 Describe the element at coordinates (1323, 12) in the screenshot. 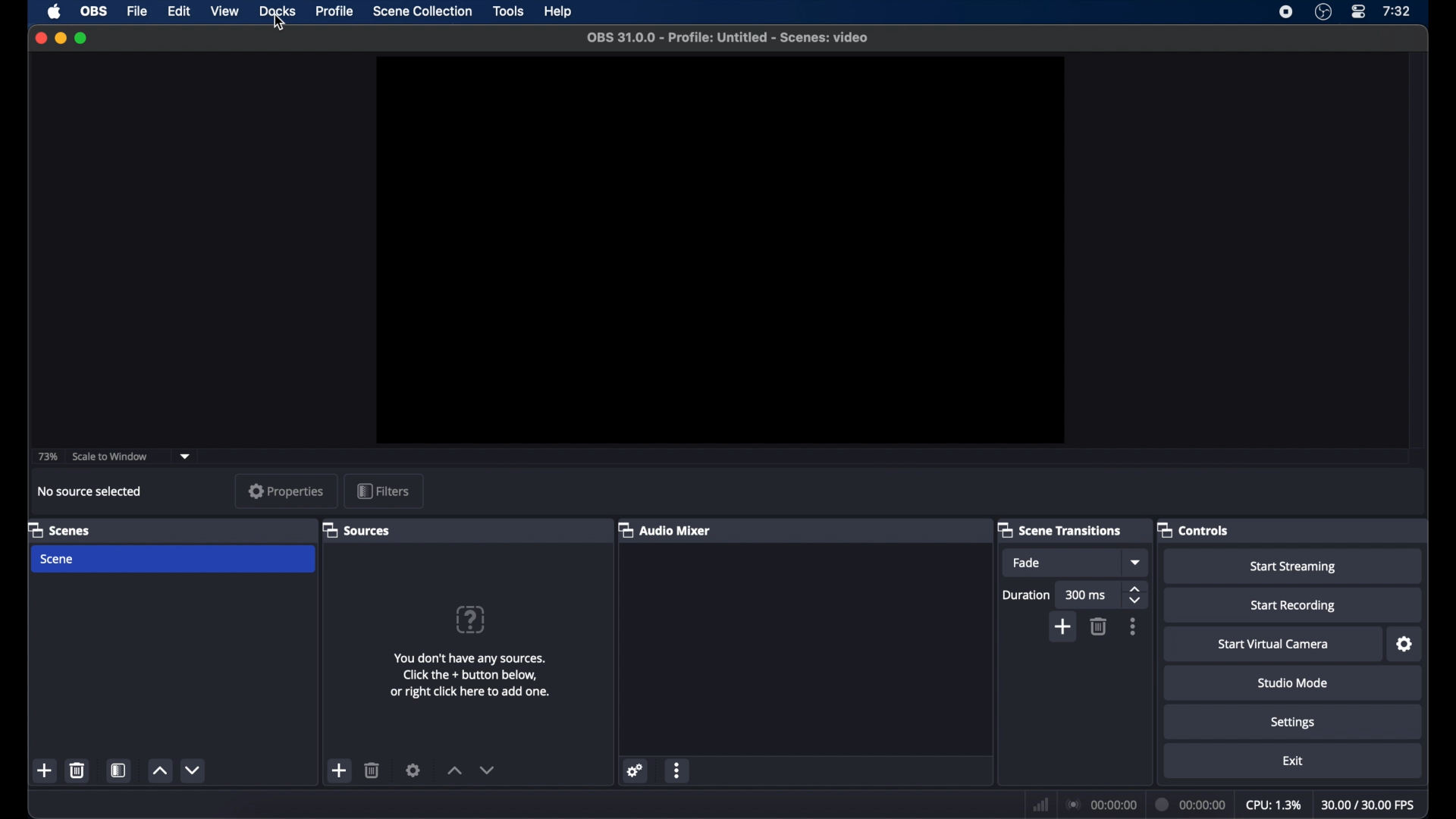

I see `obs studio` at that location.